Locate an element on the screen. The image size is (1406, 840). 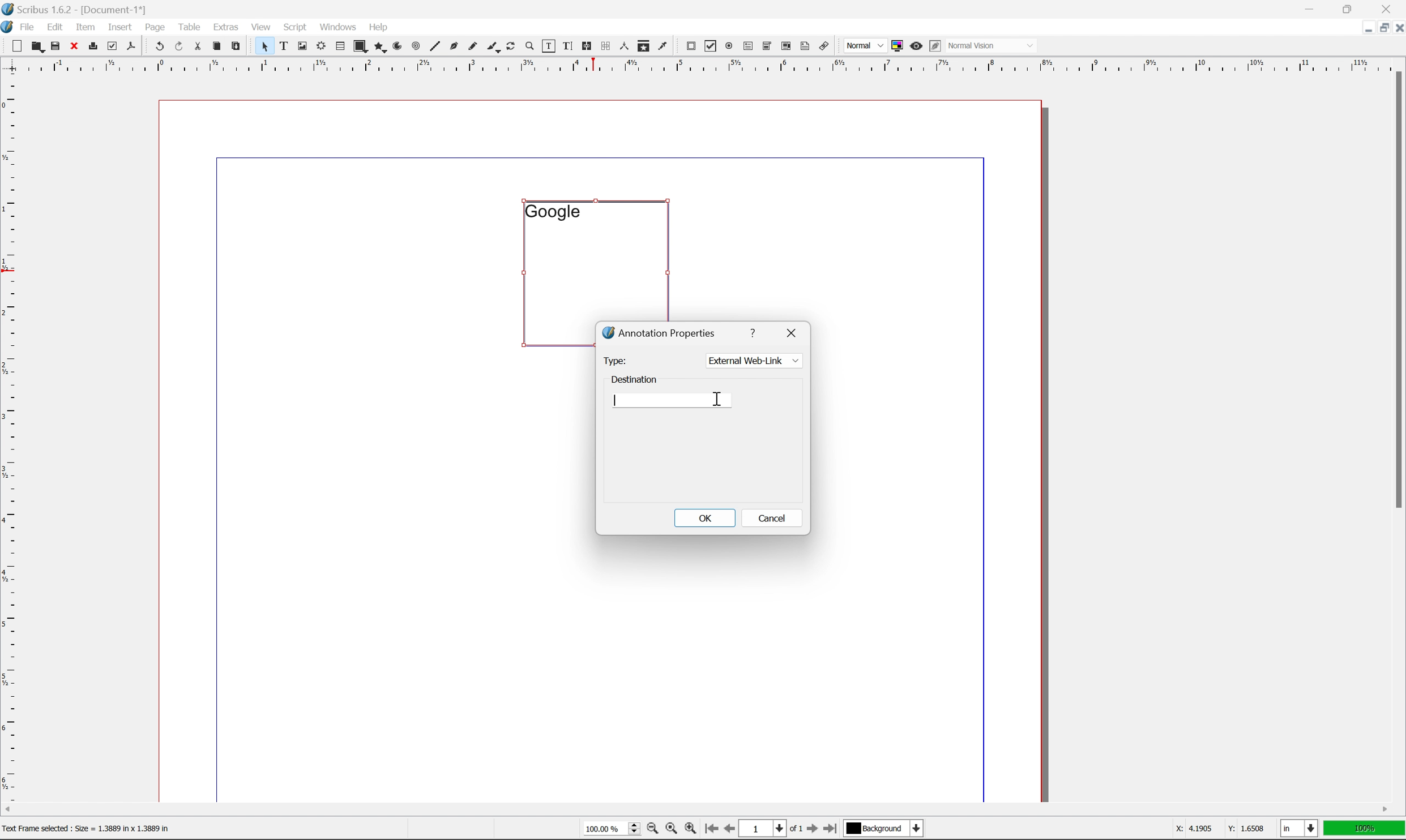
zoom to 100% is located at coordinates (670, 830).